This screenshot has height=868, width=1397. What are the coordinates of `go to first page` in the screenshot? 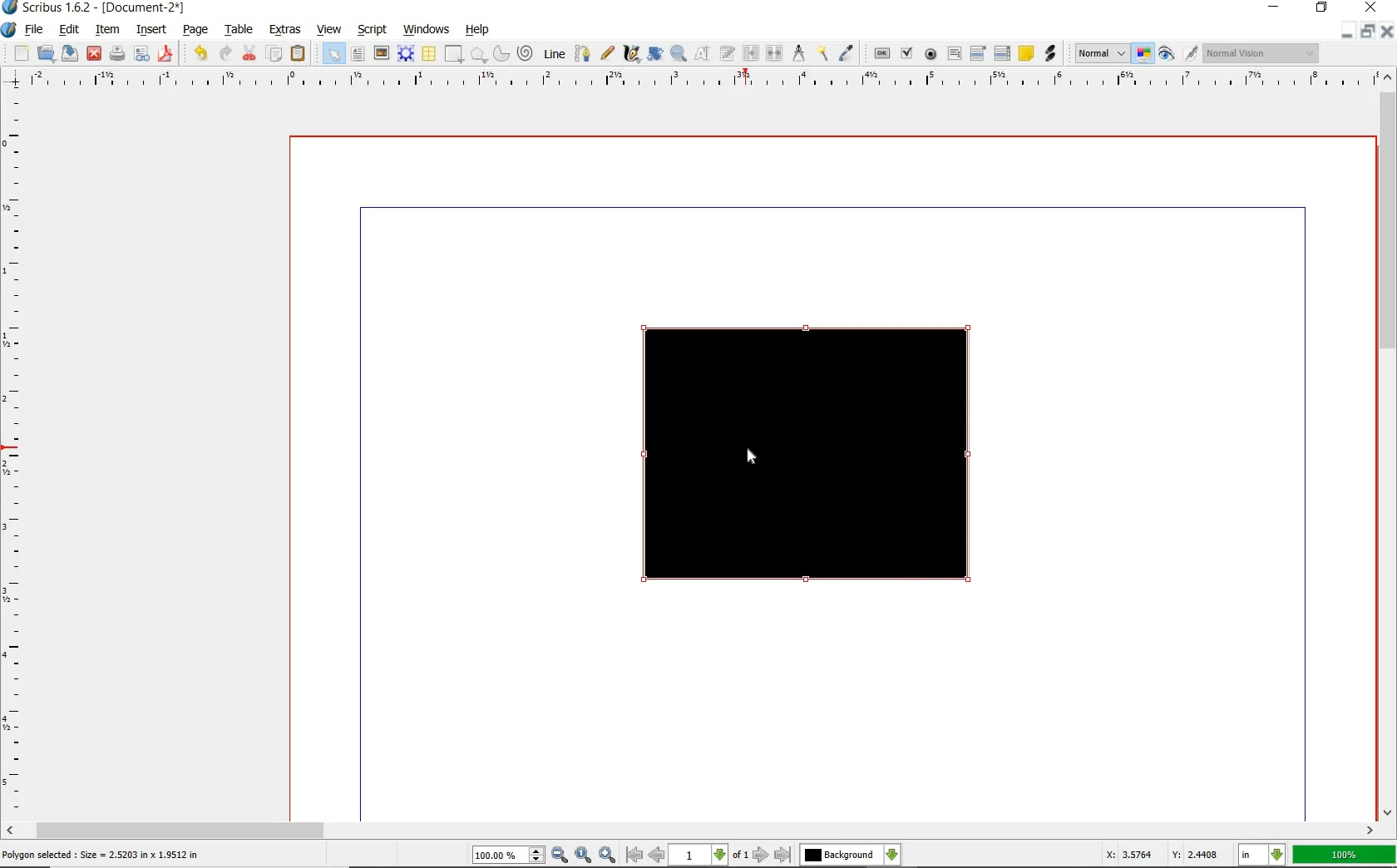 It's located at (634, 856).